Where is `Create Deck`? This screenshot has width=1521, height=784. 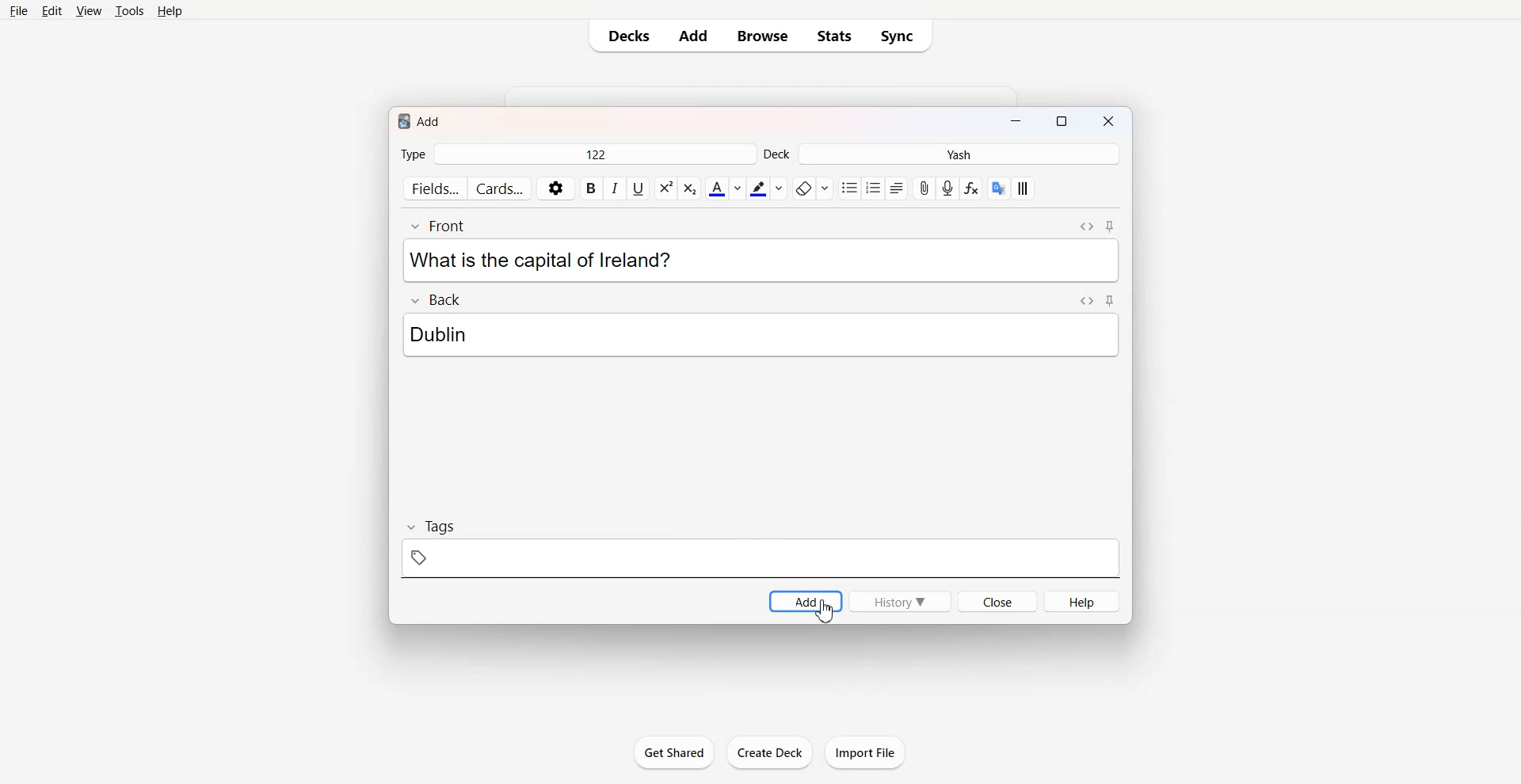
Create Deck is located at coordinates (769, 752).